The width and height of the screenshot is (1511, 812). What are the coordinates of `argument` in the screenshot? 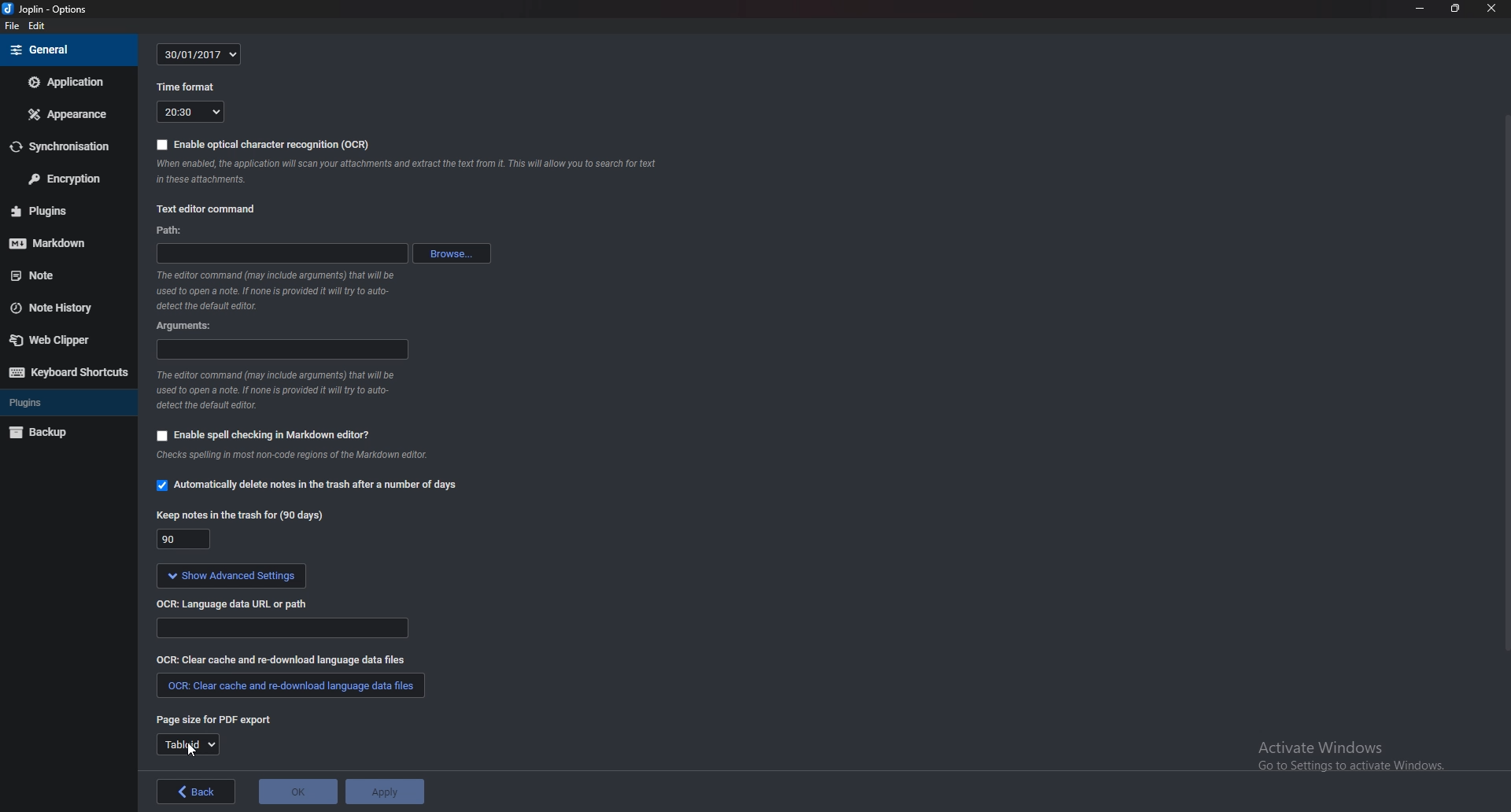 It's located at (189, 327).